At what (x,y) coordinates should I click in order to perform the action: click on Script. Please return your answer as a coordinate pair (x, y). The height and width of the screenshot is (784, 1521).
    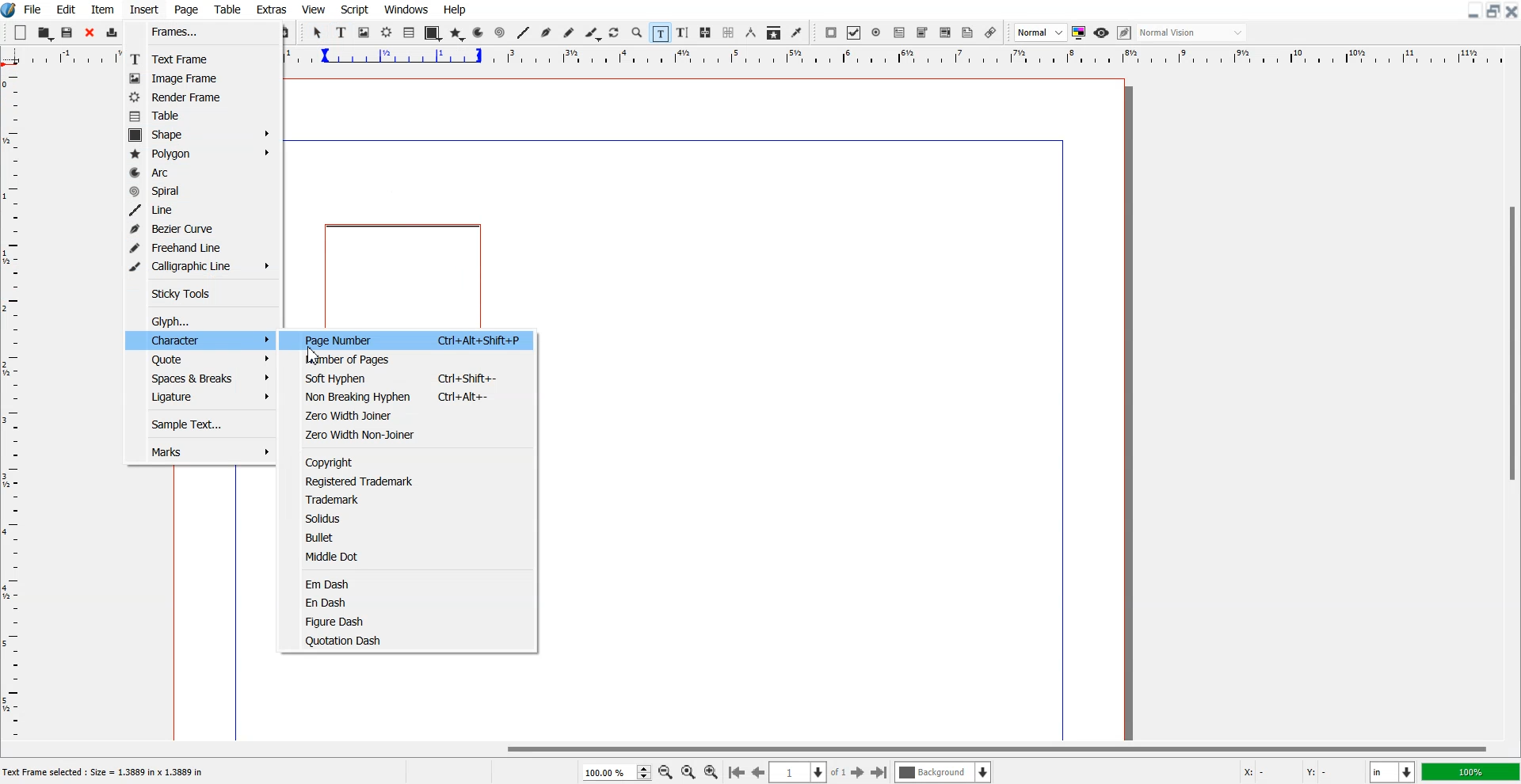
    Looking at the image, I should click on (355, 9).